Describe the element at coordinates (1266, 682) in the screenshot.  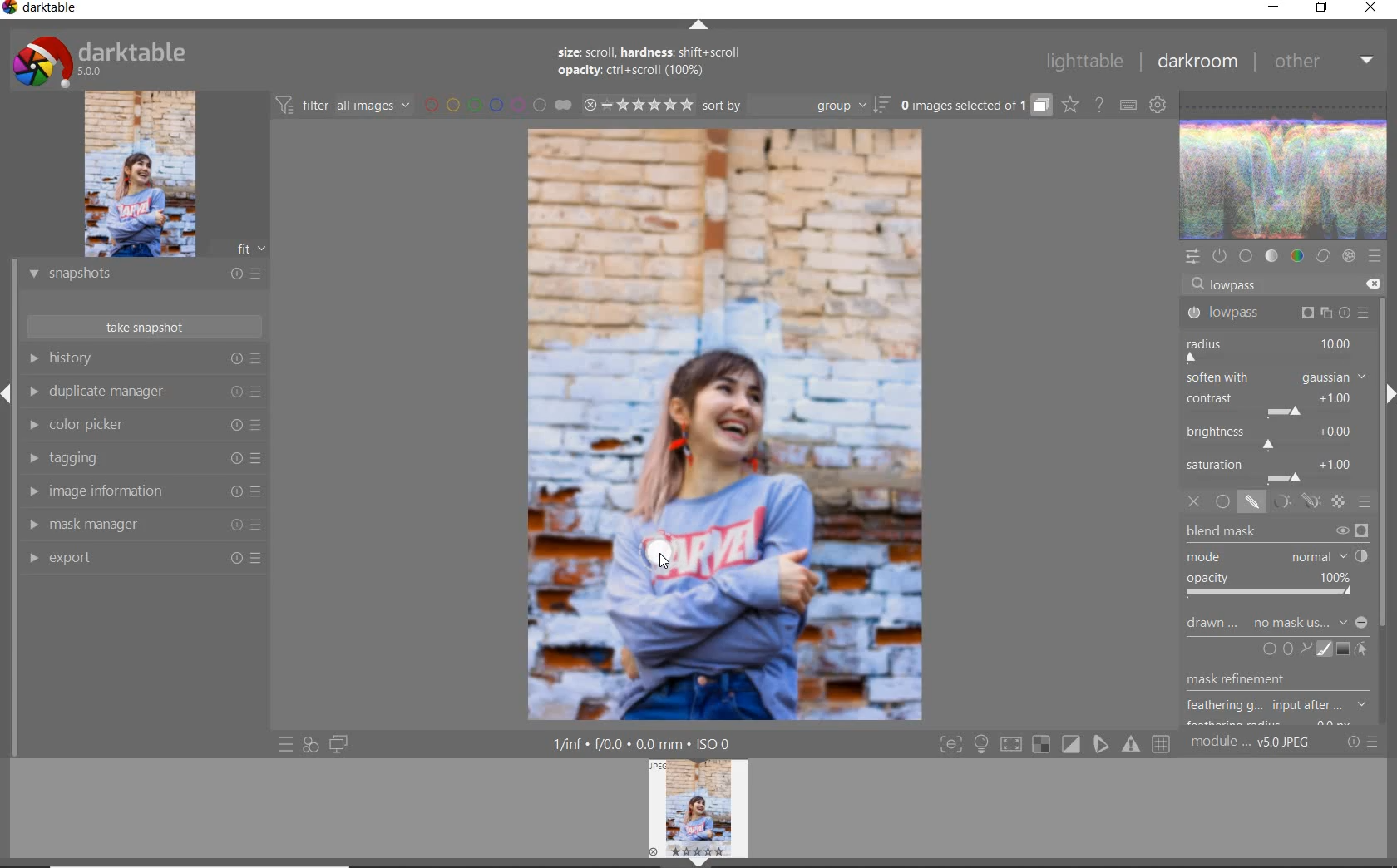
I see `musk refinement` at that location.